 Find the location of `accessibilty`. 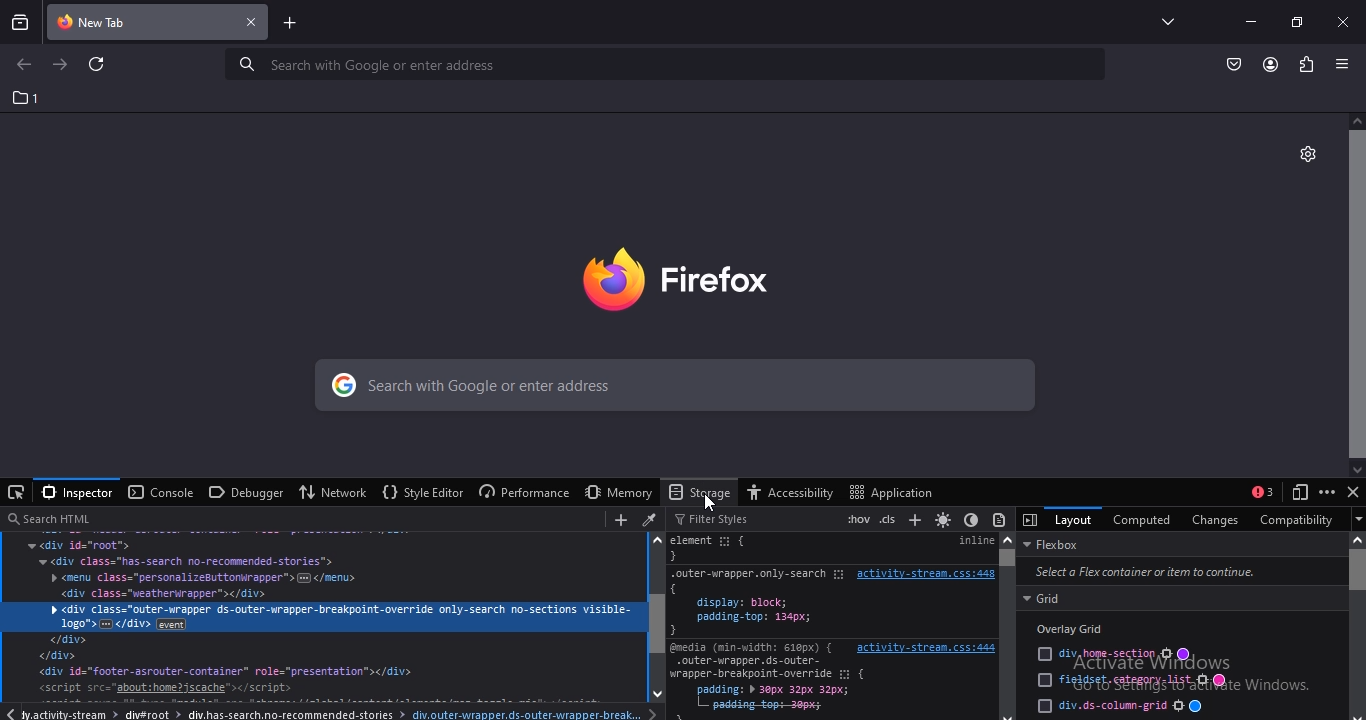

accessibilty is located at coordinates (795, 493).